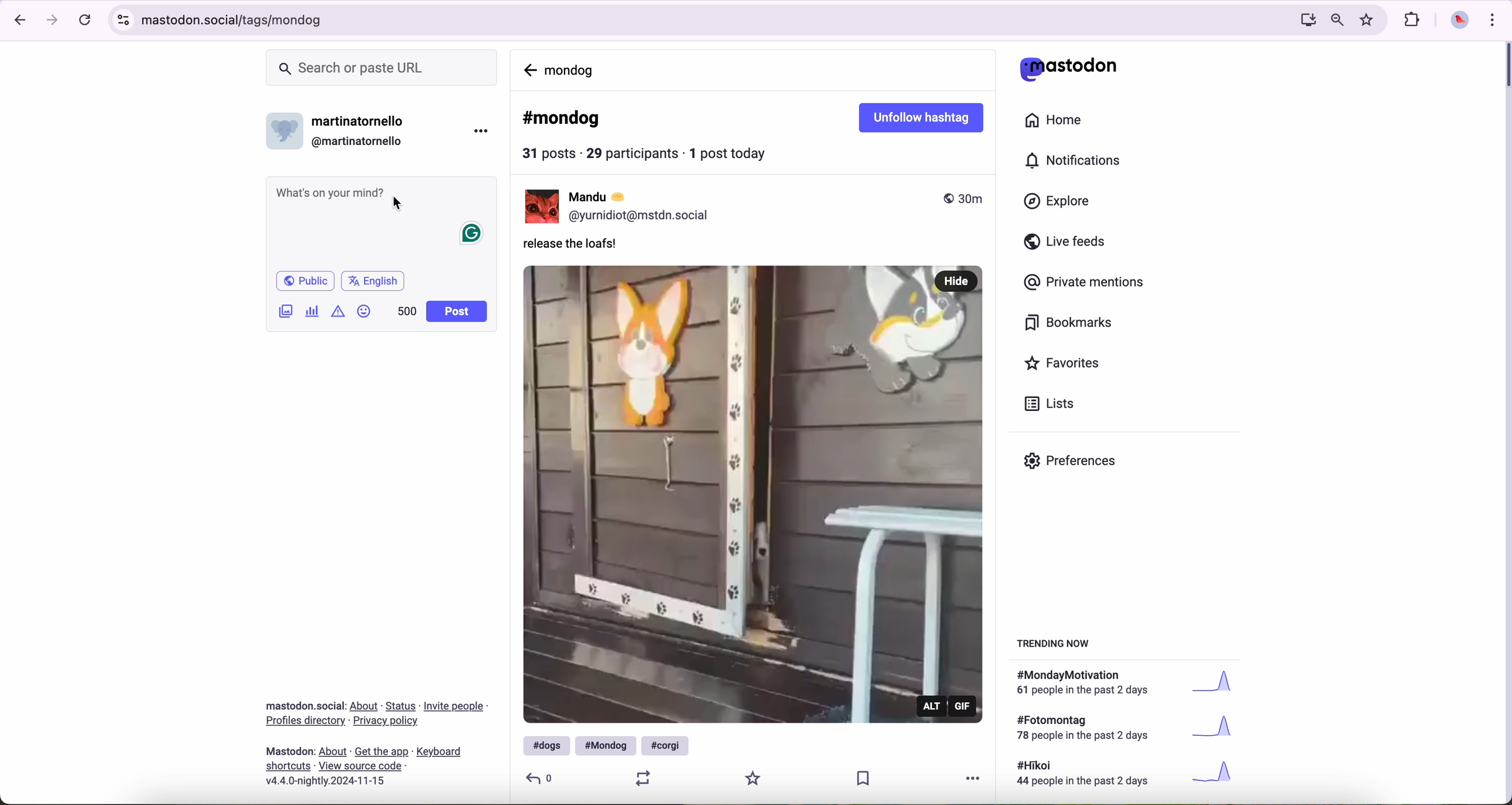 This screenshot has width=1512, height=805. What do you see at coordinates (924, 118) in the screenshot?
I see `unfollow hashtag` at bounding box center [924, 118].